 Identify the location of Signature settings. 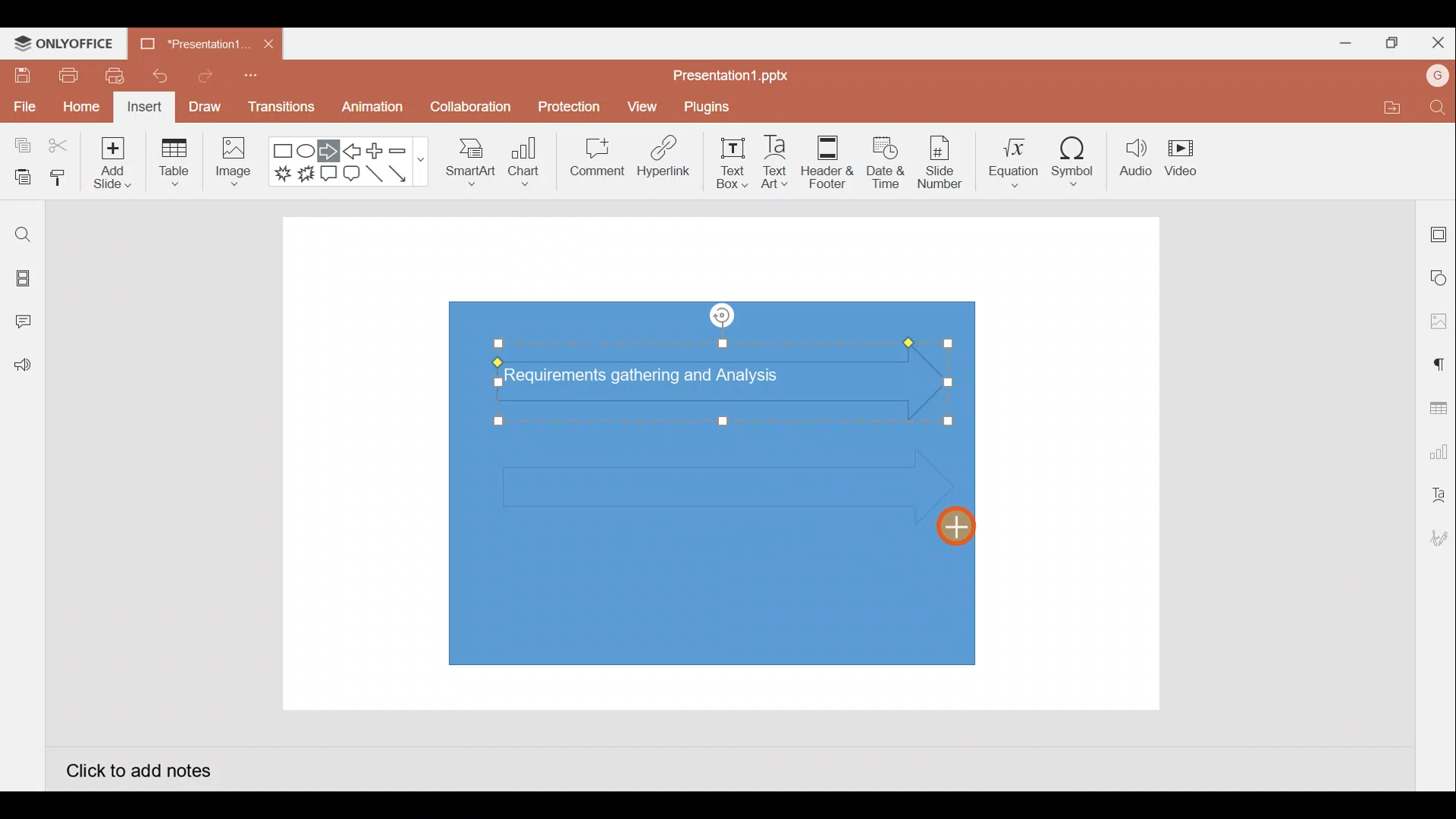
(1436, 540).